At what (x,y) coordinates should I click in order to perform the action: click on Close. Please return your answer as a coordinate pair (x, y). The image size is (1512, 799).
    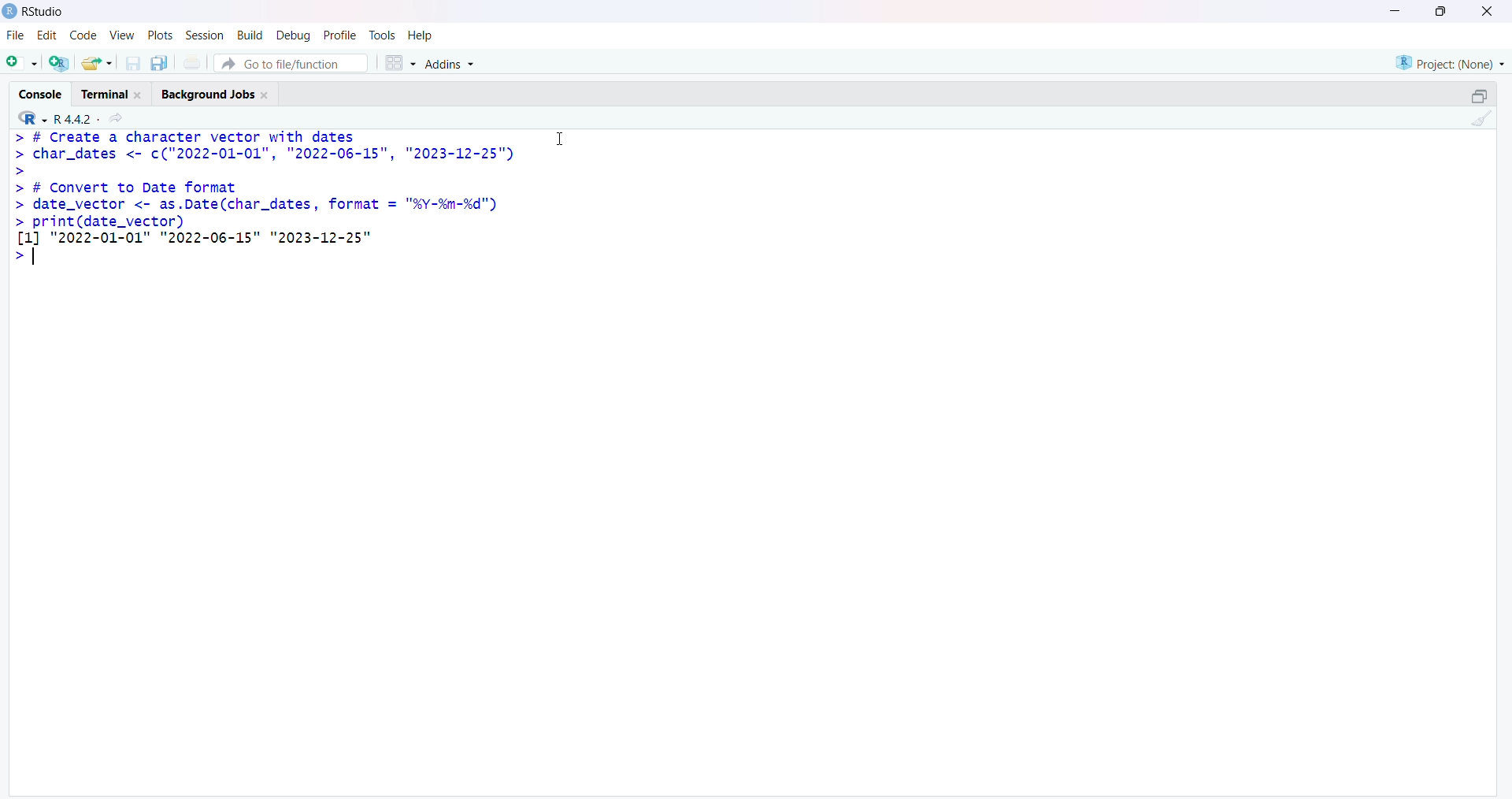
    Looking at the image, I should click on (1484, 14).